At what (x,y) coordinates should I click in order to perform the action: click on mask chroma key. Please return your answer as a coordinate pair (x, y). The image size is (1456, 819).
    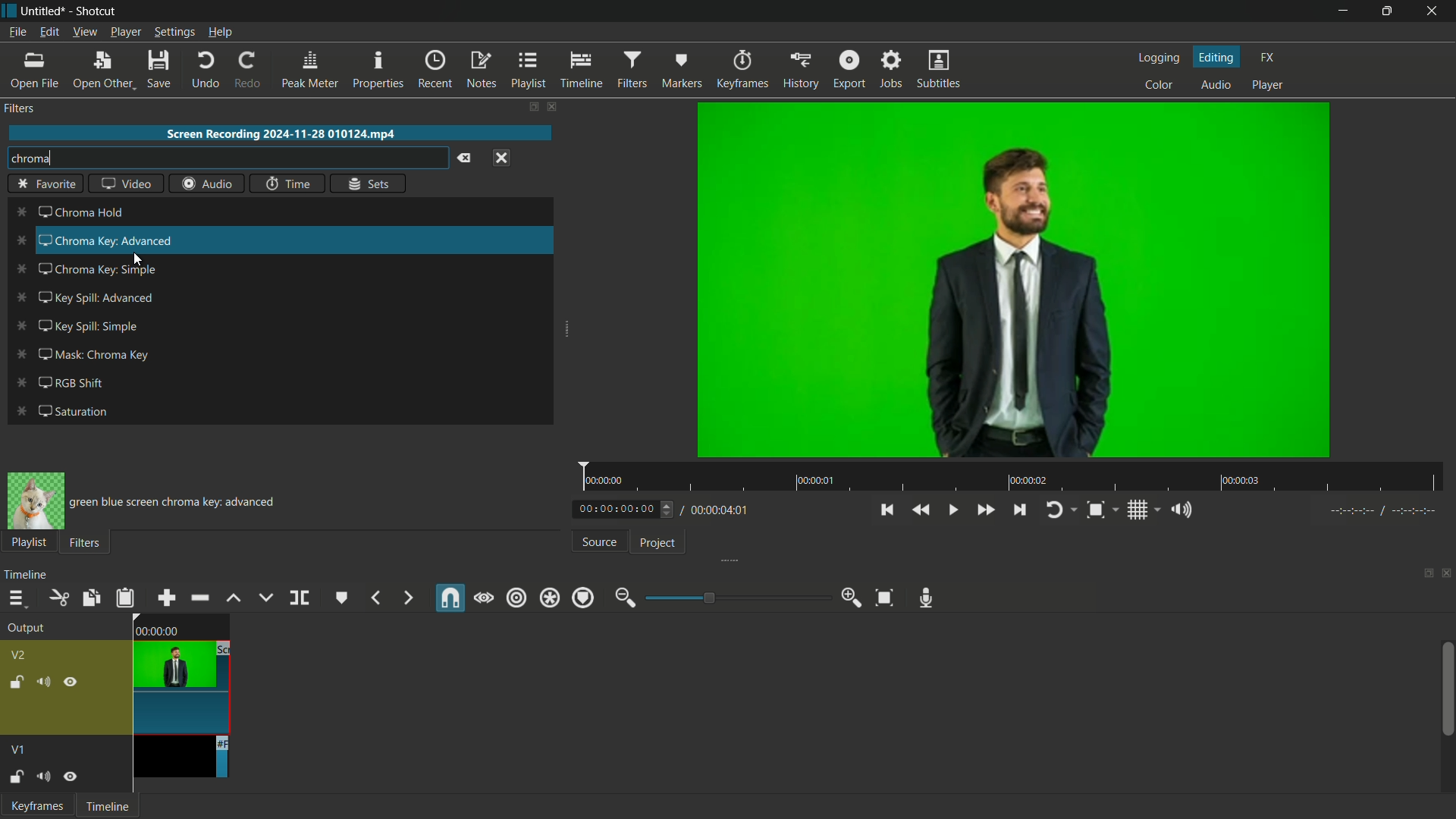
    Looking at the image, I should click on (98, 353).